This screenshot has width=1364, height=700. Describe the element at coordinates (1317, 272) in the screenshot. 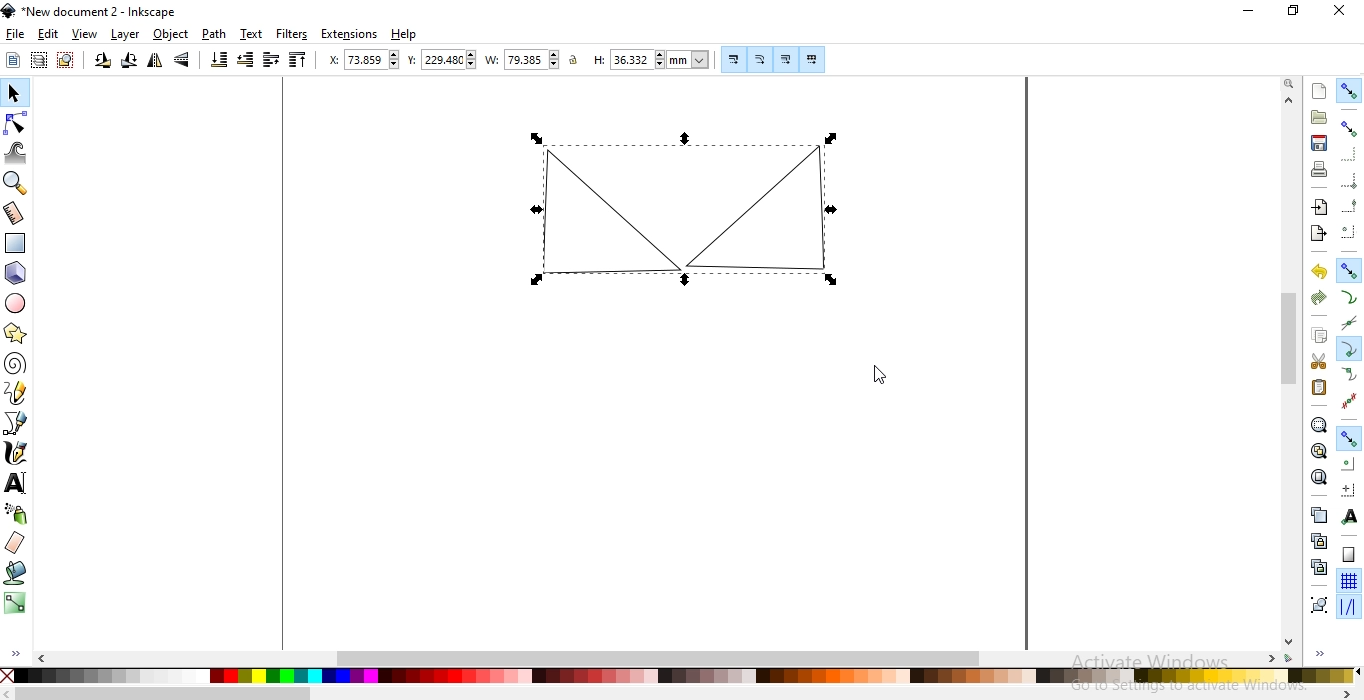

I see `undo the action` at that location.